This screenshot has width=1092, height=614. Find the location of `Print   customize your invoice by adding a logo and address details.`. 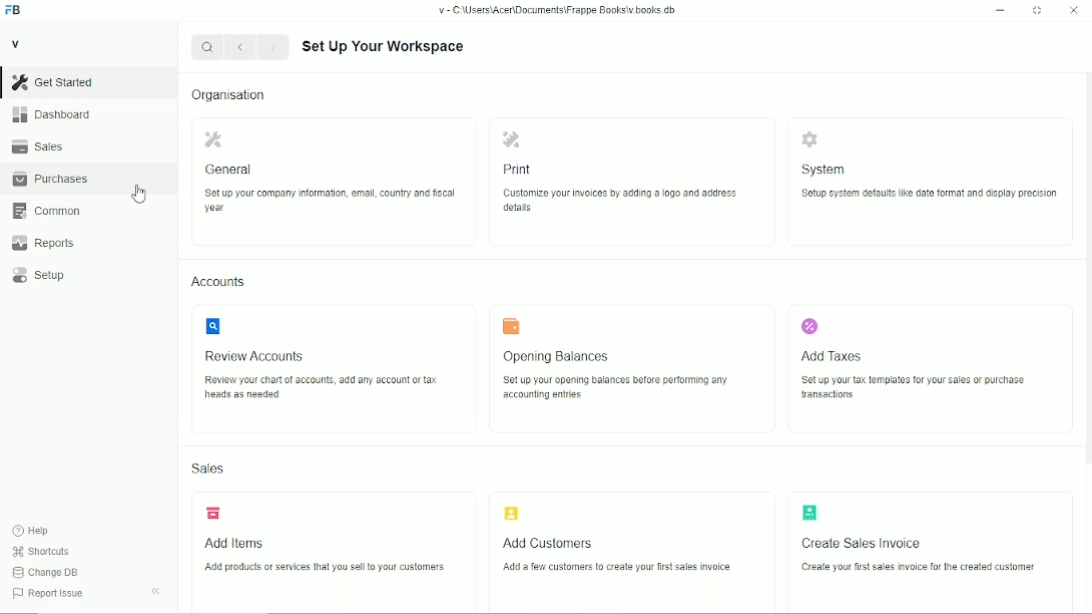

Print   customize your invoice by adding a logo and address details. is located at coordinates (633, 183).